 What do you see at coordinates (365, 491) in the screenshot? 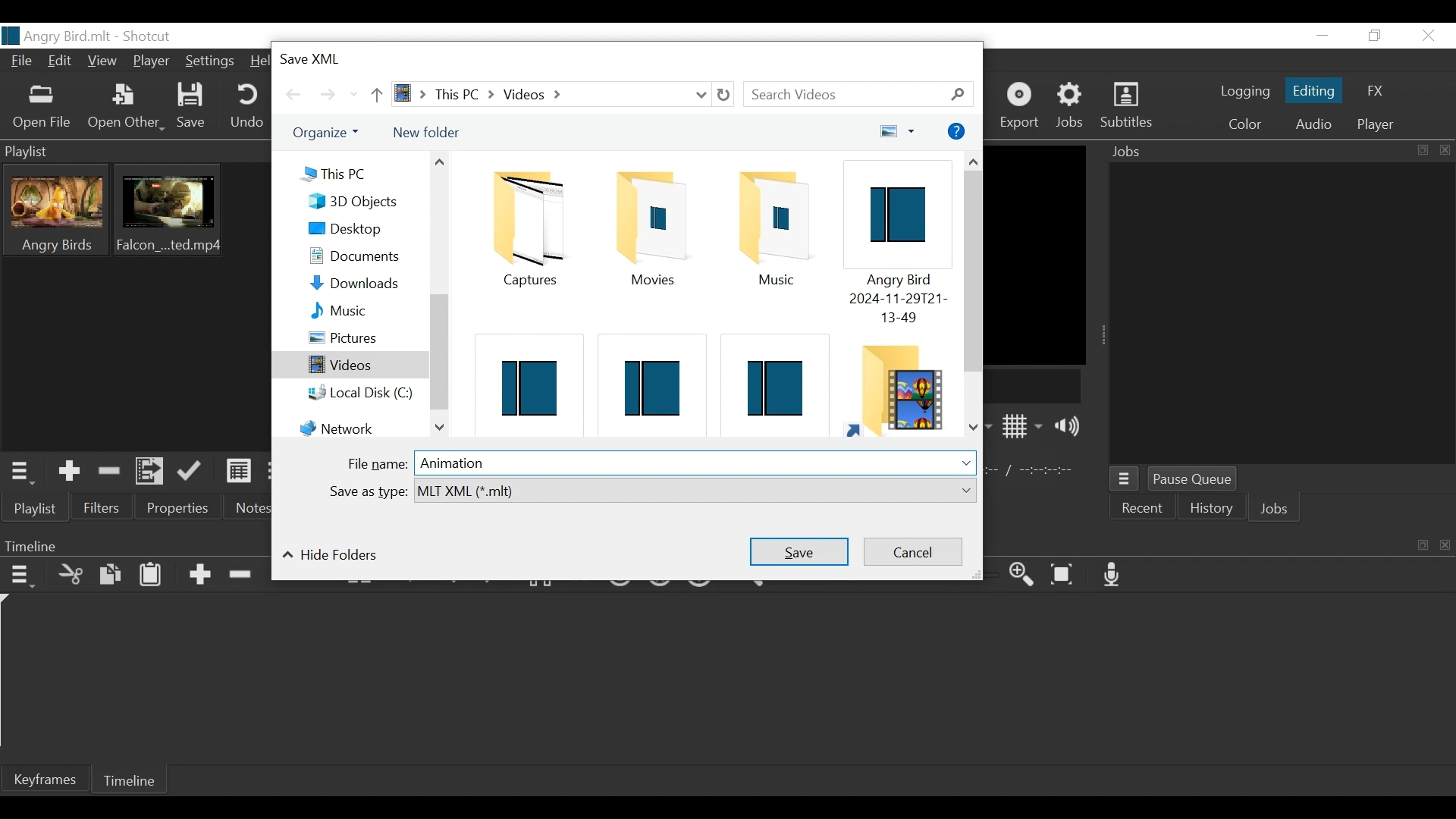
I see `Save as type` at bounding box center [365, 491].